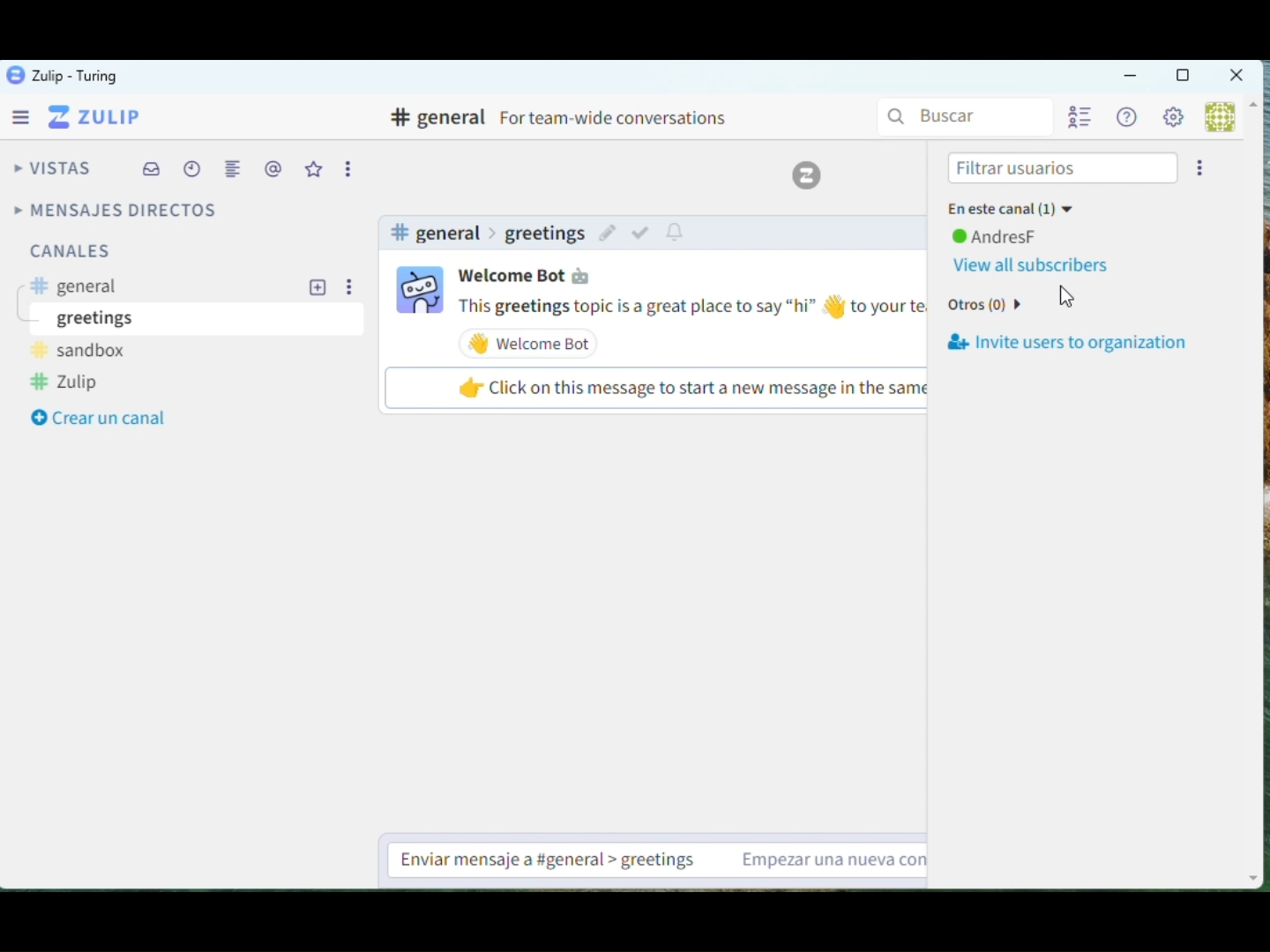 This screenshot has height=952, width=1270. I want to click on Create a channel, so click(105, 420).